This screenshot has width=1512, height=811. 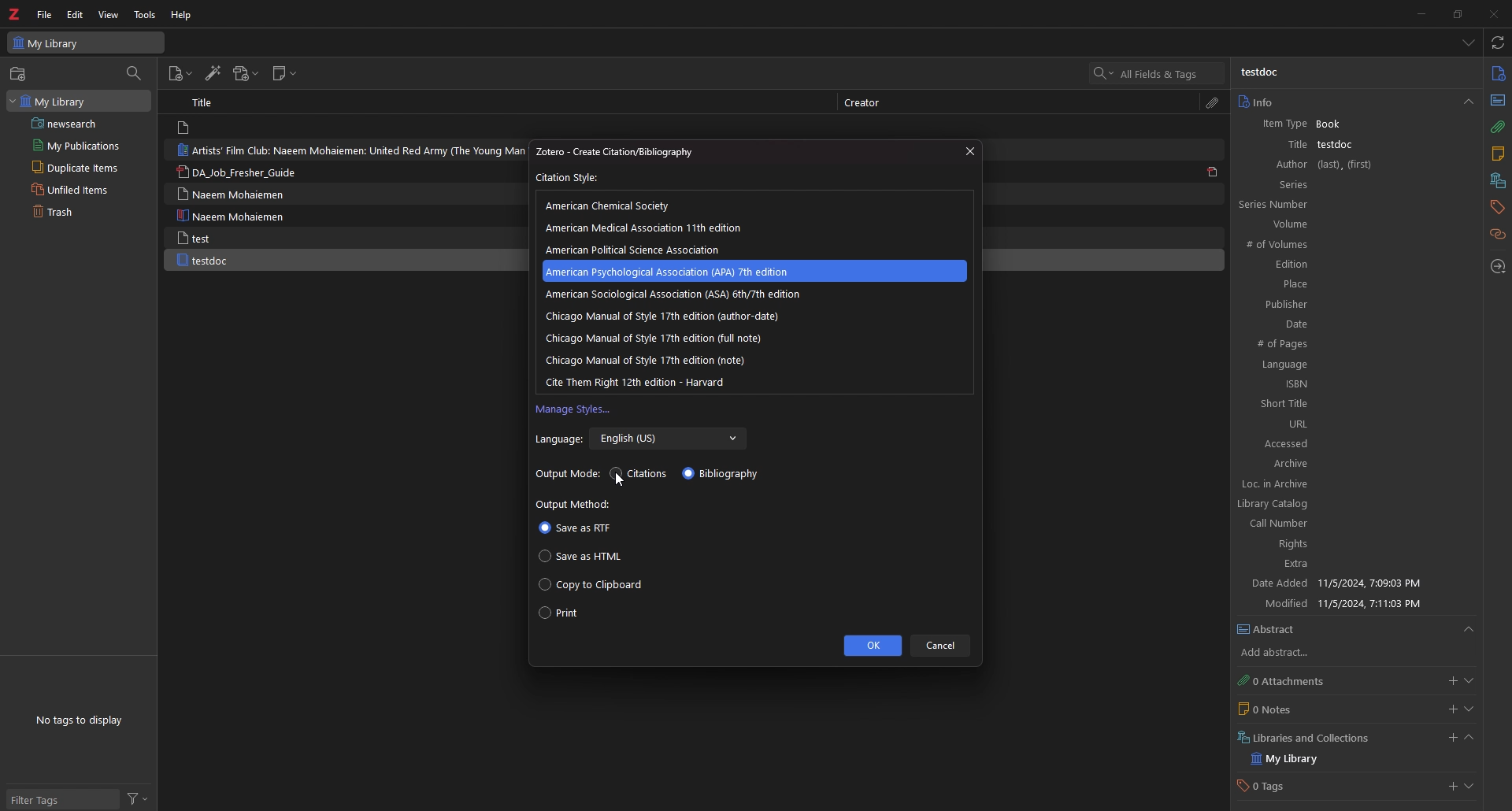 I want to click on logo, so click(x=16, y=14).